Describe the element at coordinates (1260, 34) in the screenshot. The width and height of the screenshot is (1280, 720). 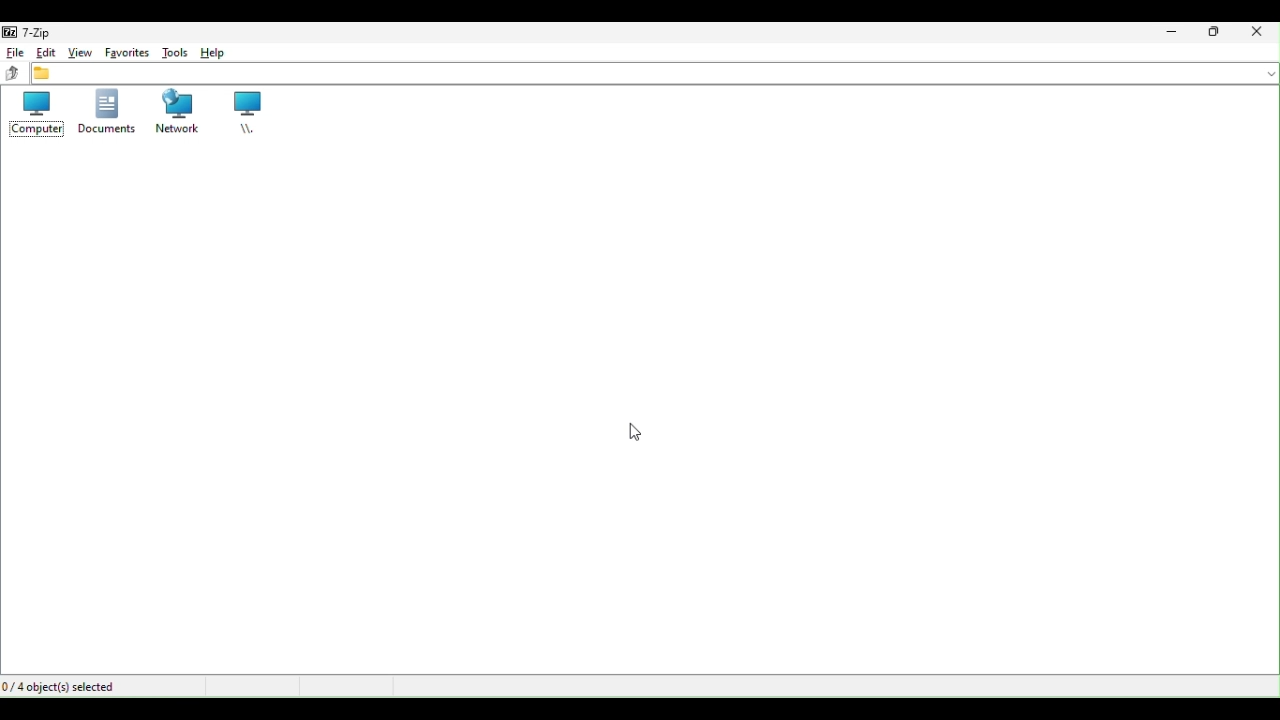
I see `Close` at that location.